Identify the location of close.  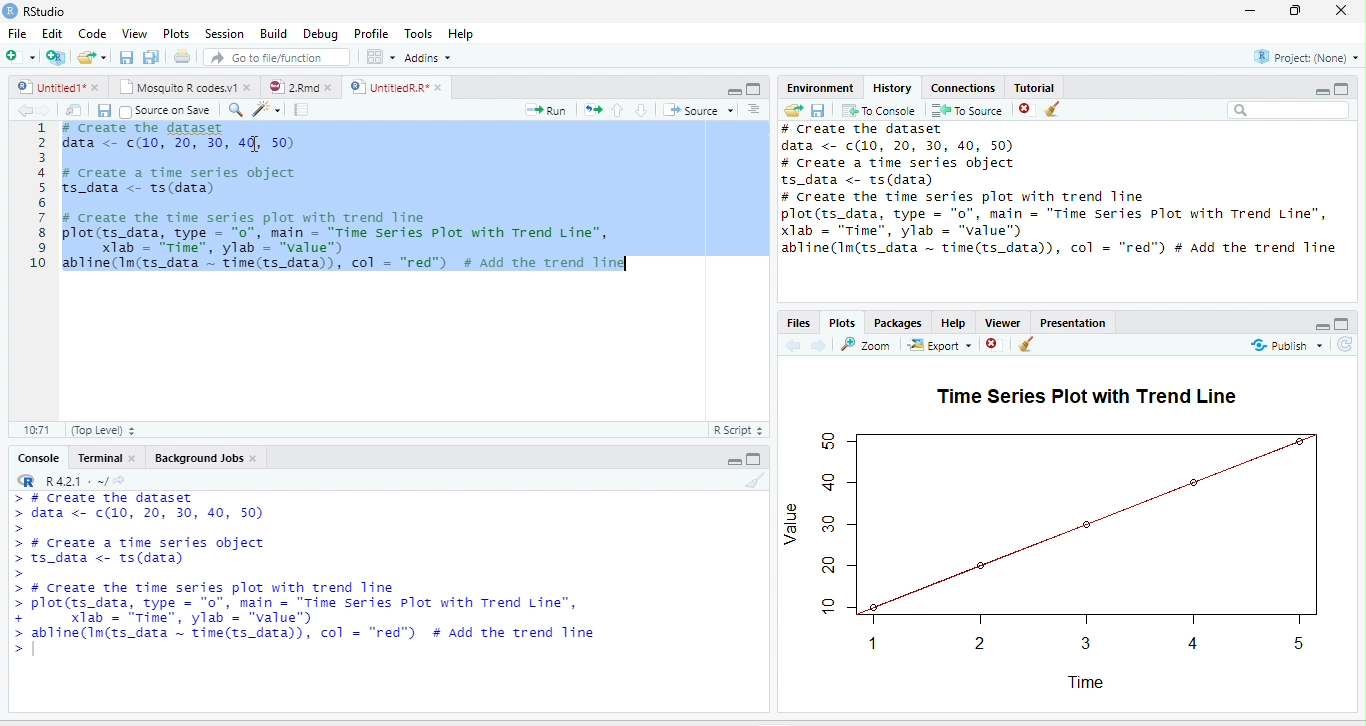
(248, 87).